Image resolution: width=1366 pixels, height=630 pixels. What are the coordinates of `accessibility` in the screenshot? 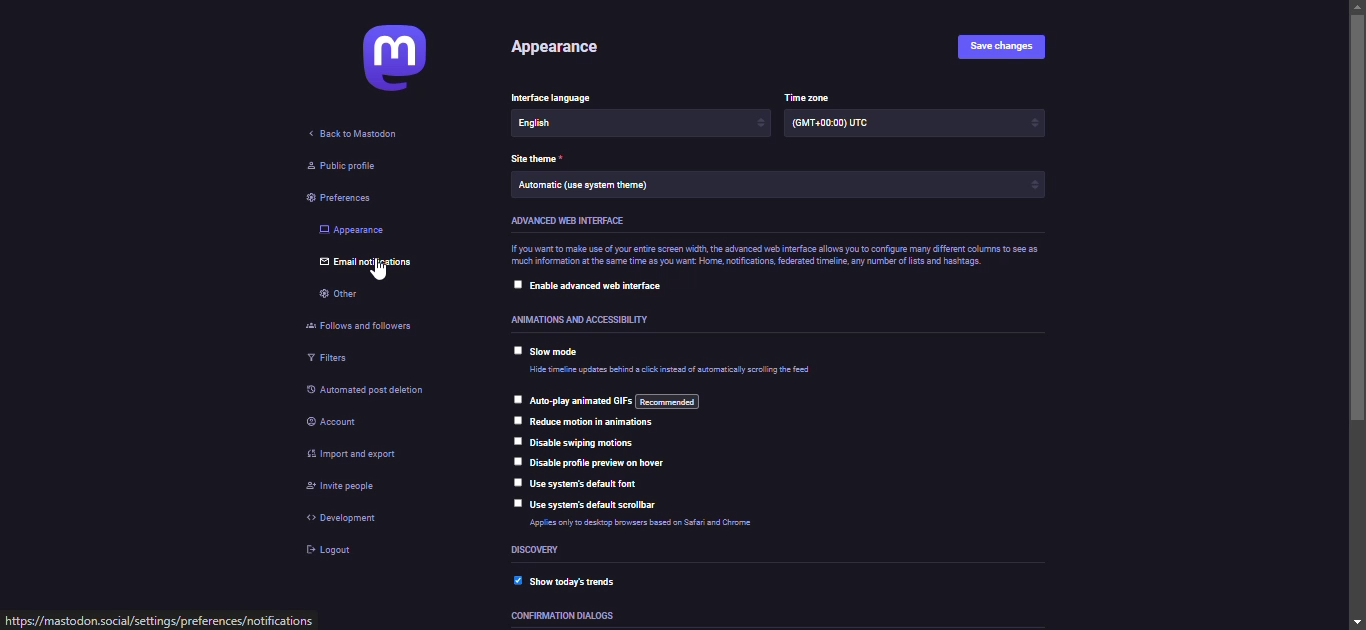 It's located at (590, 320).